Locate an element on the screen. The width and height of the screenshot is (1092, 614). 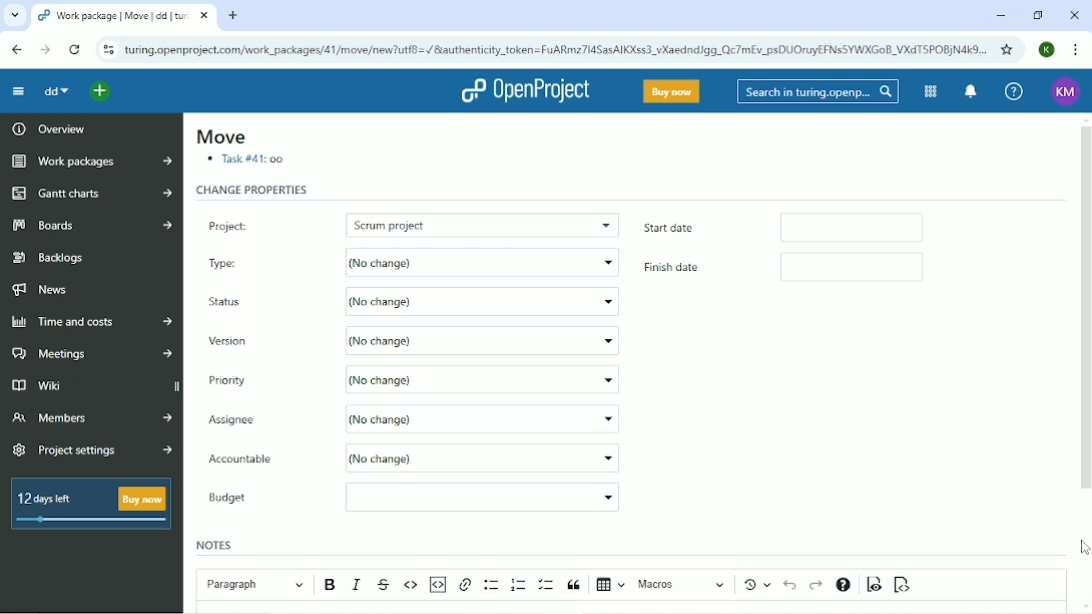
Back is located at coordinates (16, 49).